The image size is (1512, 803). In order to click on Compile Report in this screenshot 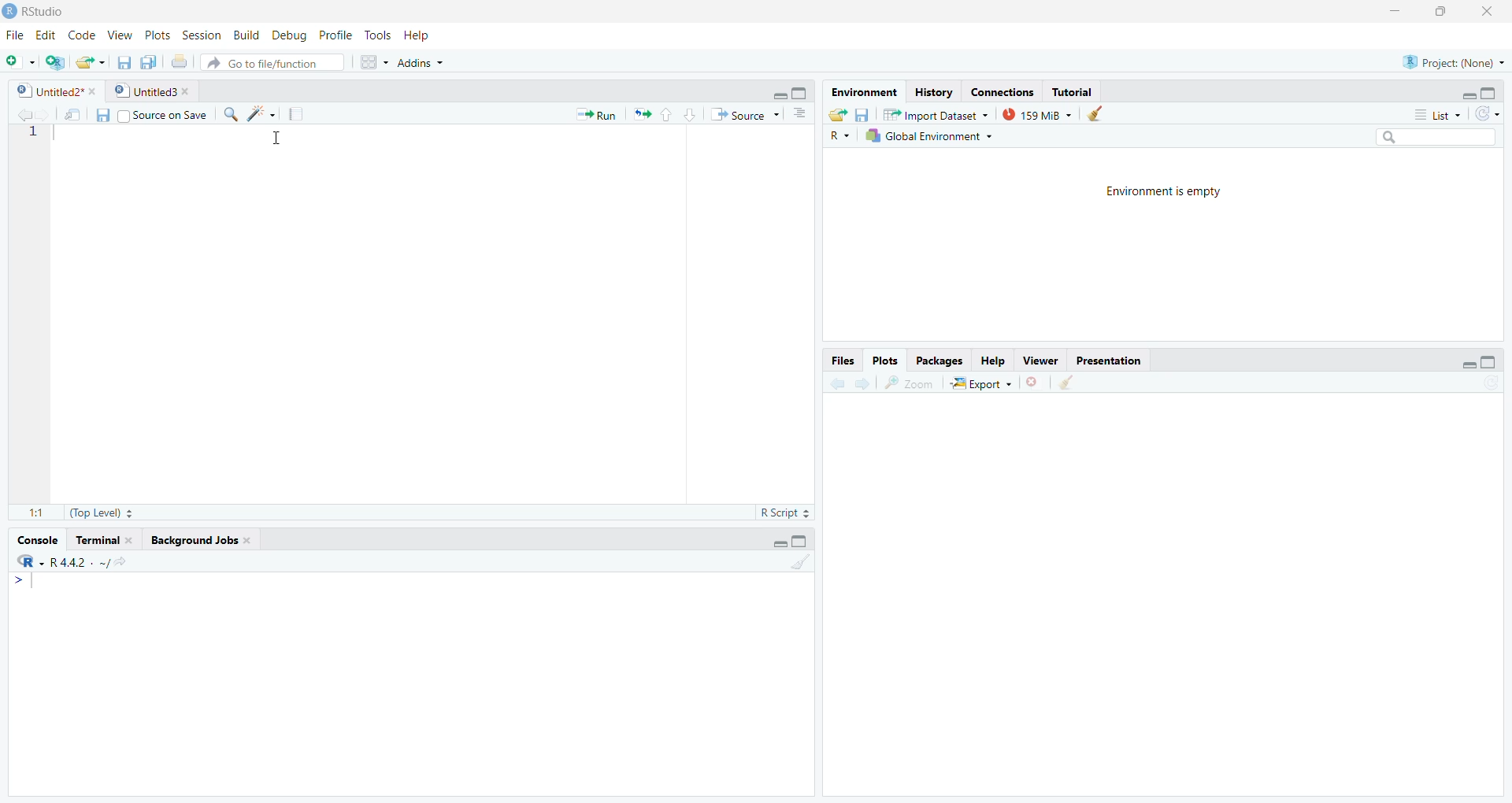, I will do `click(296, 115)`.